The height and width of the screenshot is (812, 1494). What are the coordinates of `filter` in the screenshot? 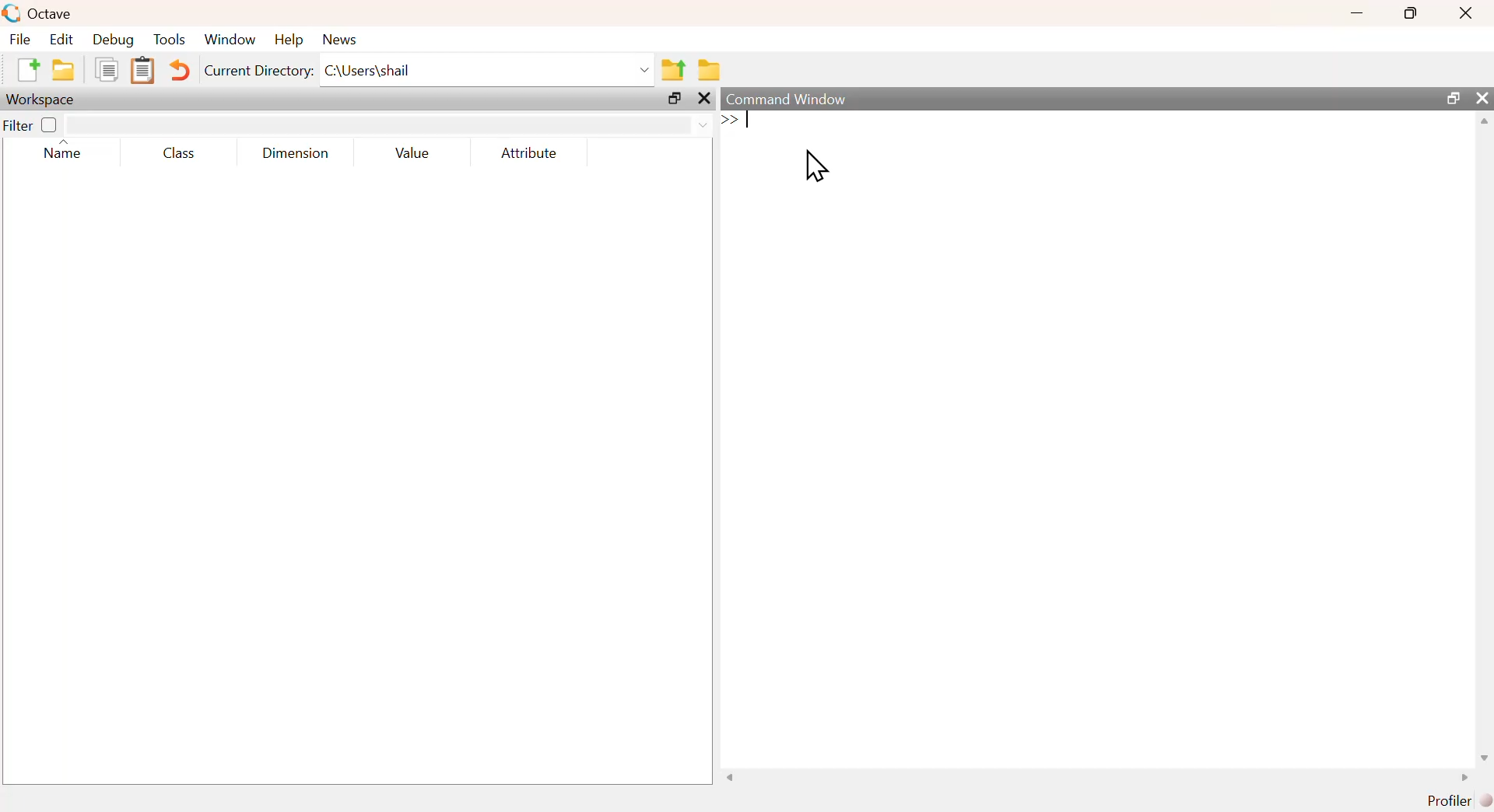 It's located at (390, 124).